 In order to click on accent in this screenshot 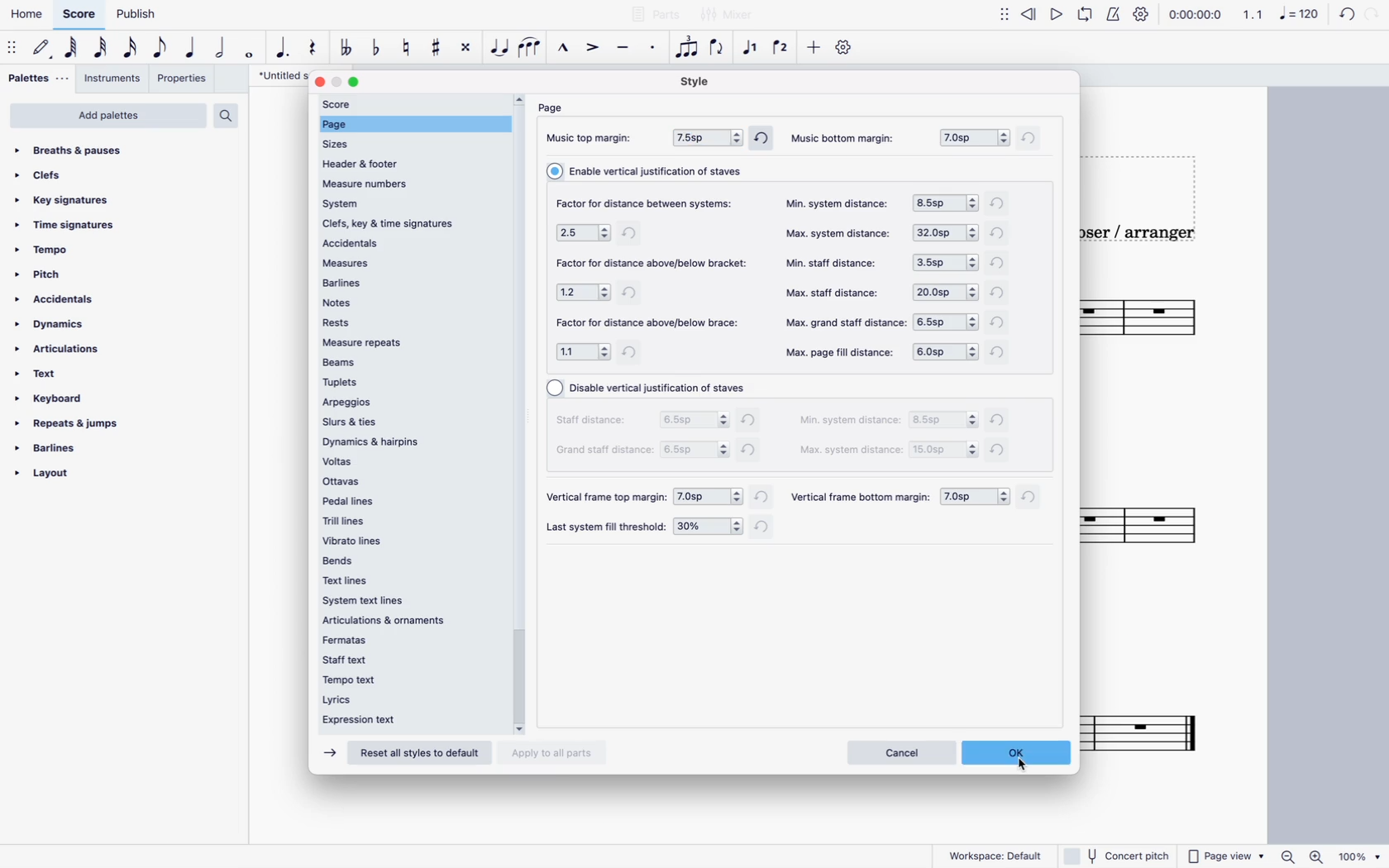, I will do `click(592, 49)`.